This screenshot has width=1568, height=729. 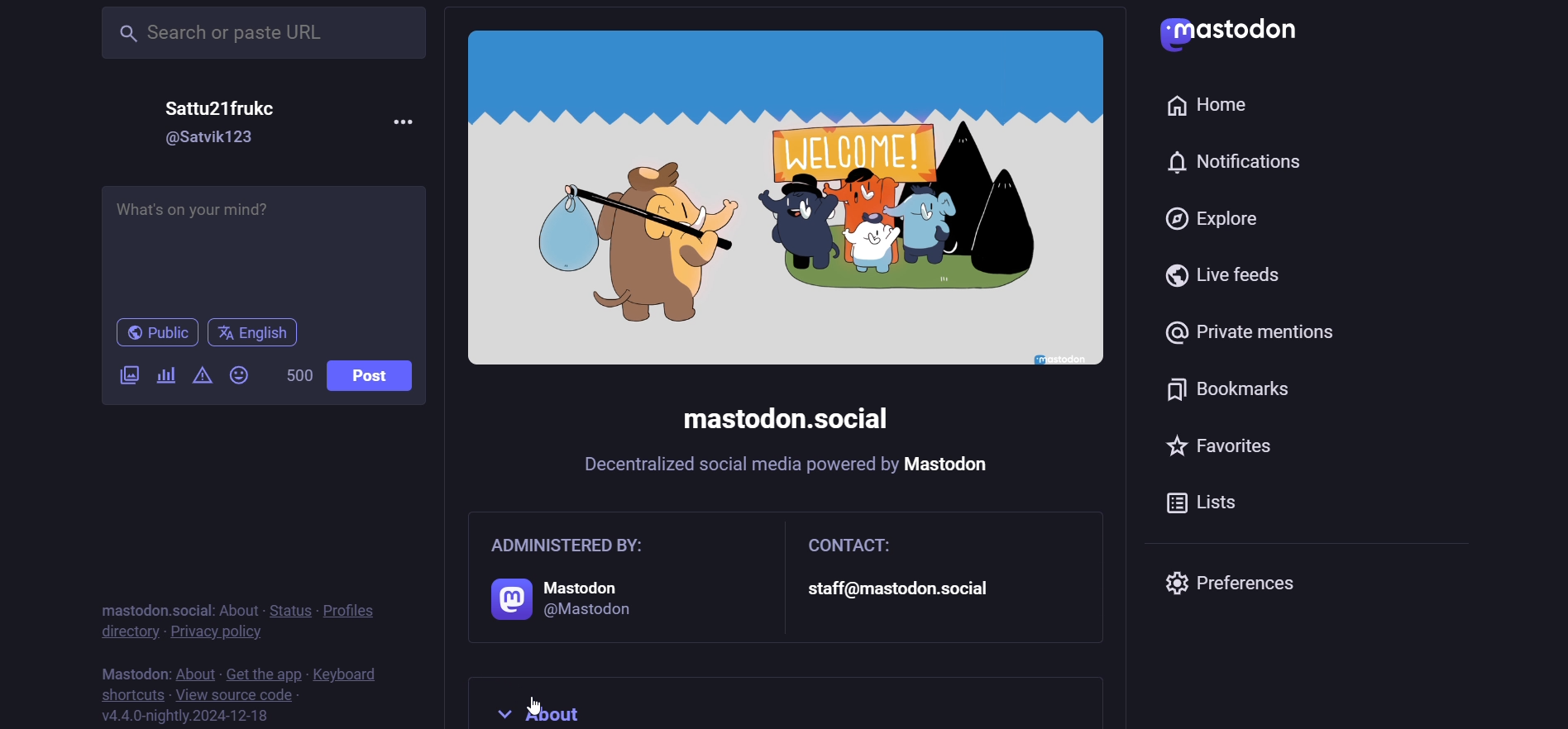 What do you see at coordinates (234, 694) in the screenshot?
I see `view source code` at bounding box center [234, 694].